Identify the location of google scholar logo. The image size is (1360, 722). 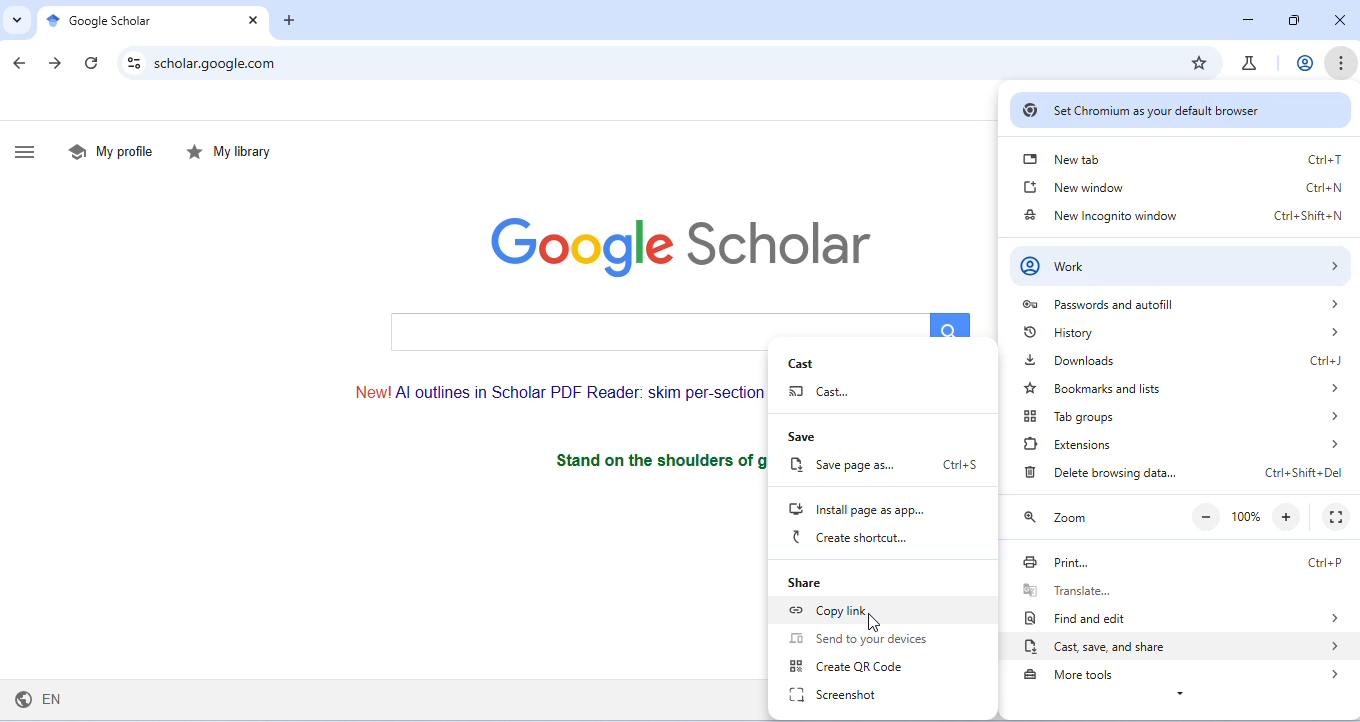
(682, 242).